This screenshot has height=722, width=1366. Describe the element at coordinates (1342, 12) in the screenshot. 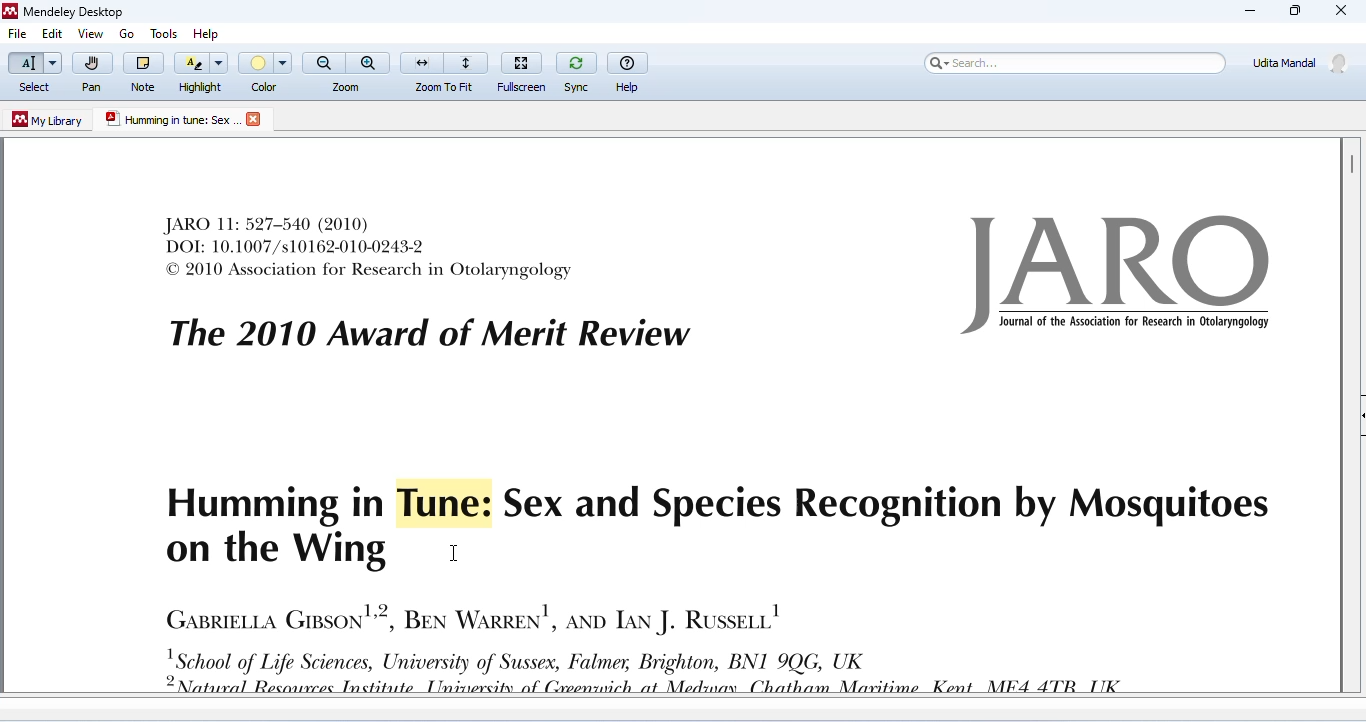

I see `close` at that location.